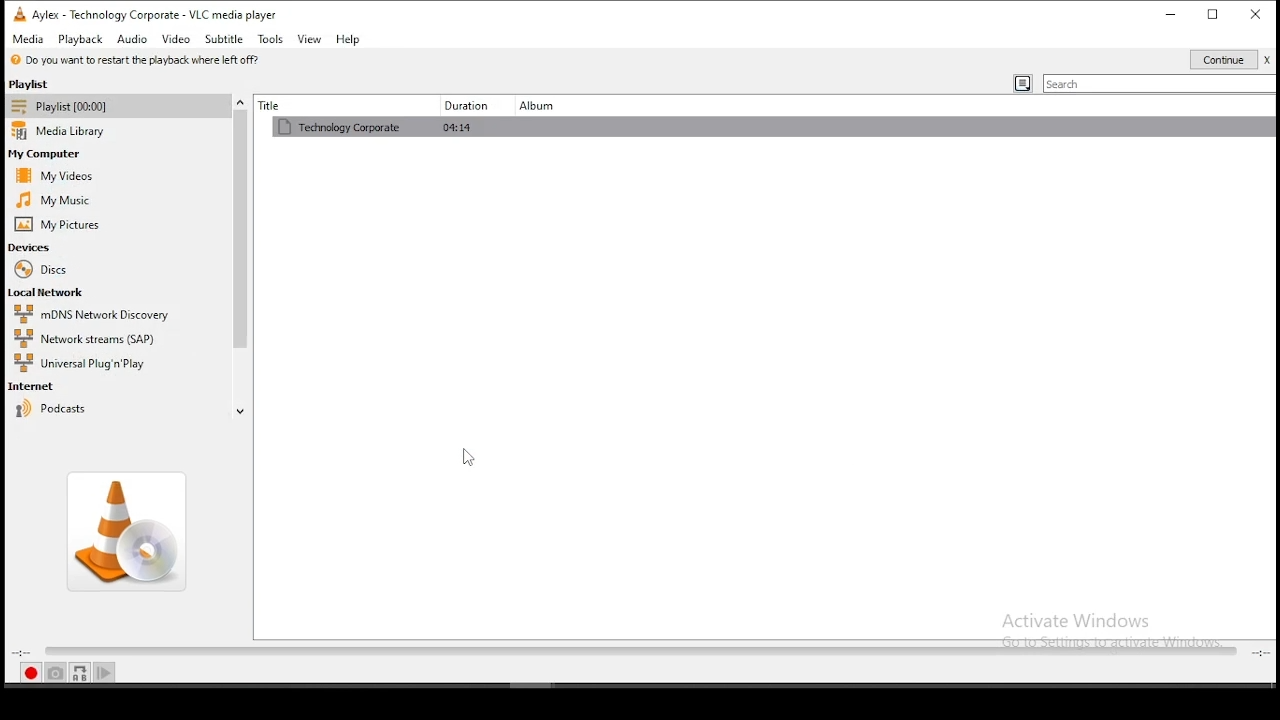  I want to click on my computer, so click(48, 153).